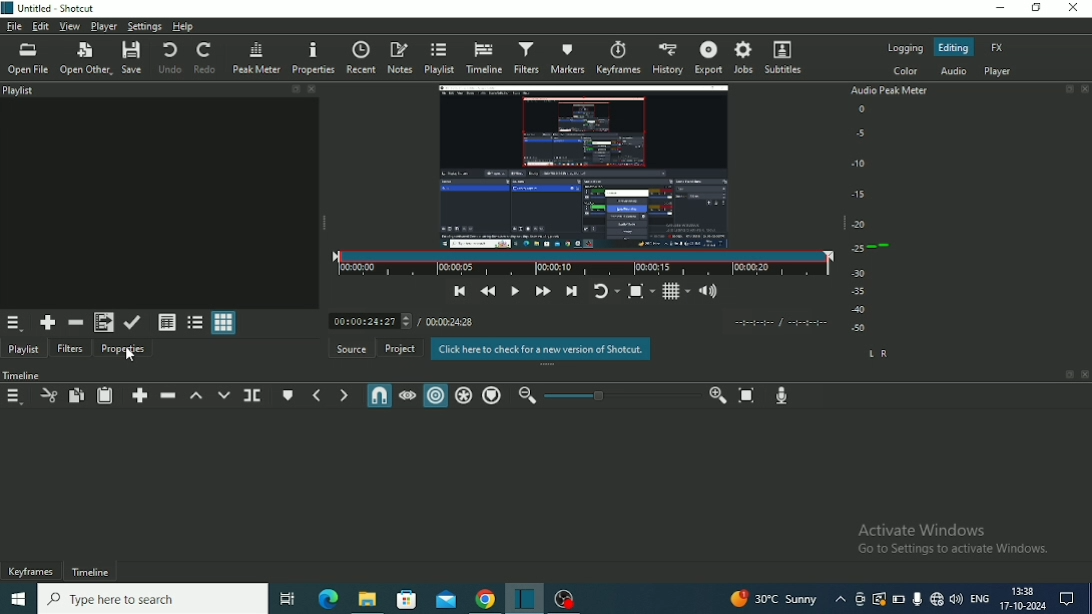  Describe the element at coordinates (860, 599) in the screenshot. I see `Meet Now` at that location.